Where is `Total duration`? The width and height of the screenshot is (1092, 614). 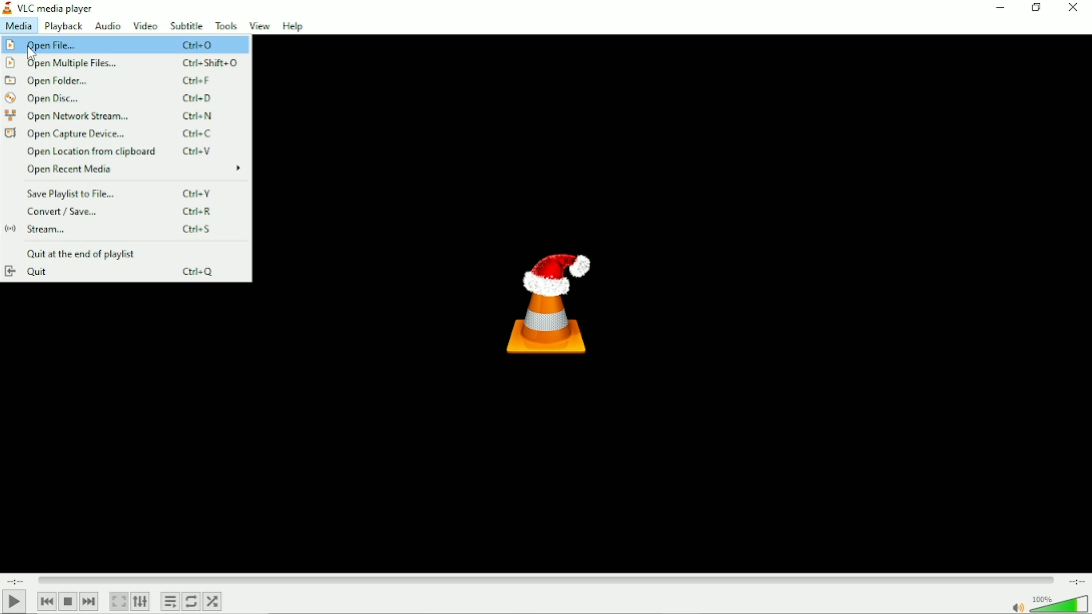
Total duration is located at coordinates (1076, 581).